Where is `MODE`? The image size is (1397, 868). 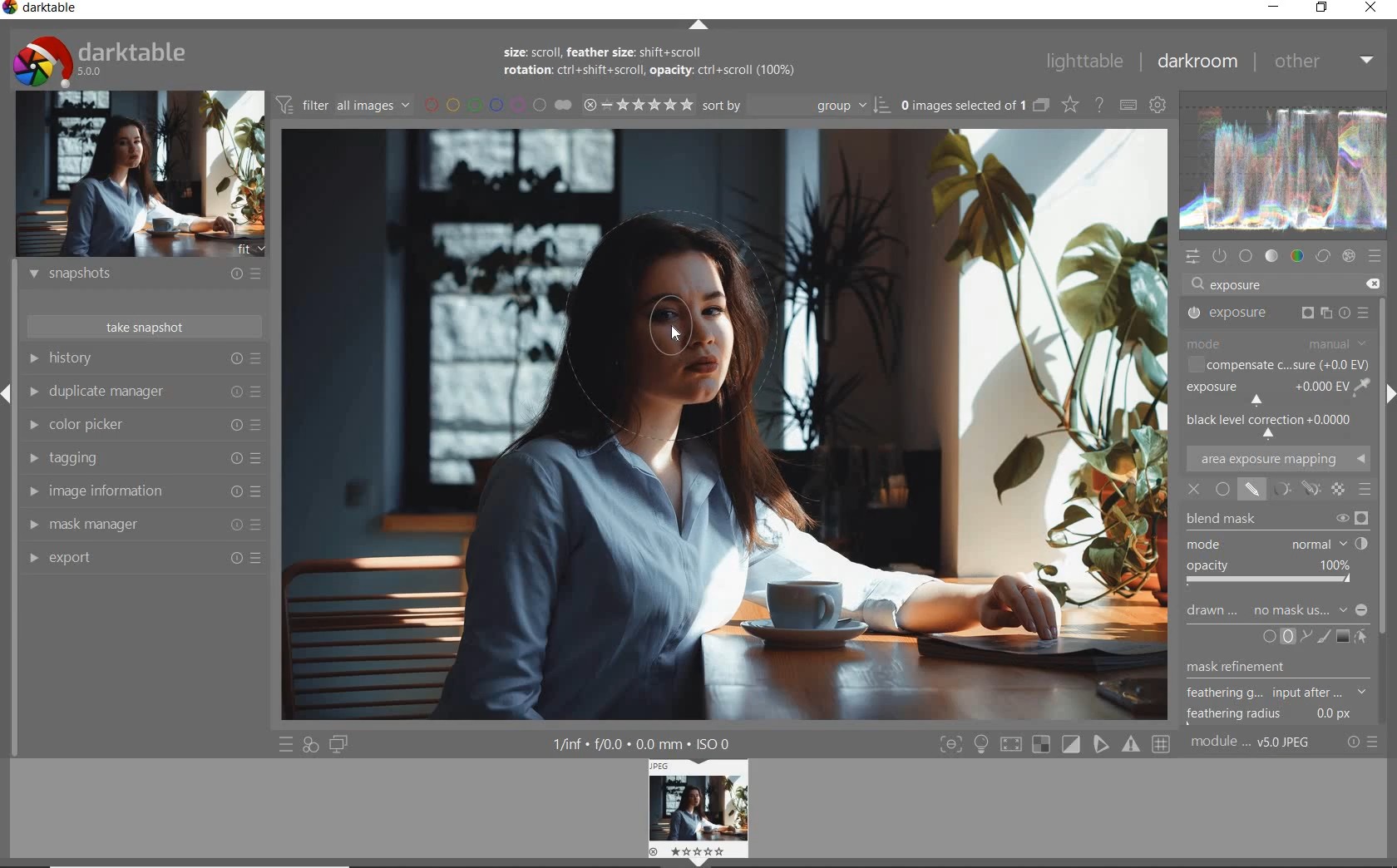
MODE is located at coordinates (1276, 545).